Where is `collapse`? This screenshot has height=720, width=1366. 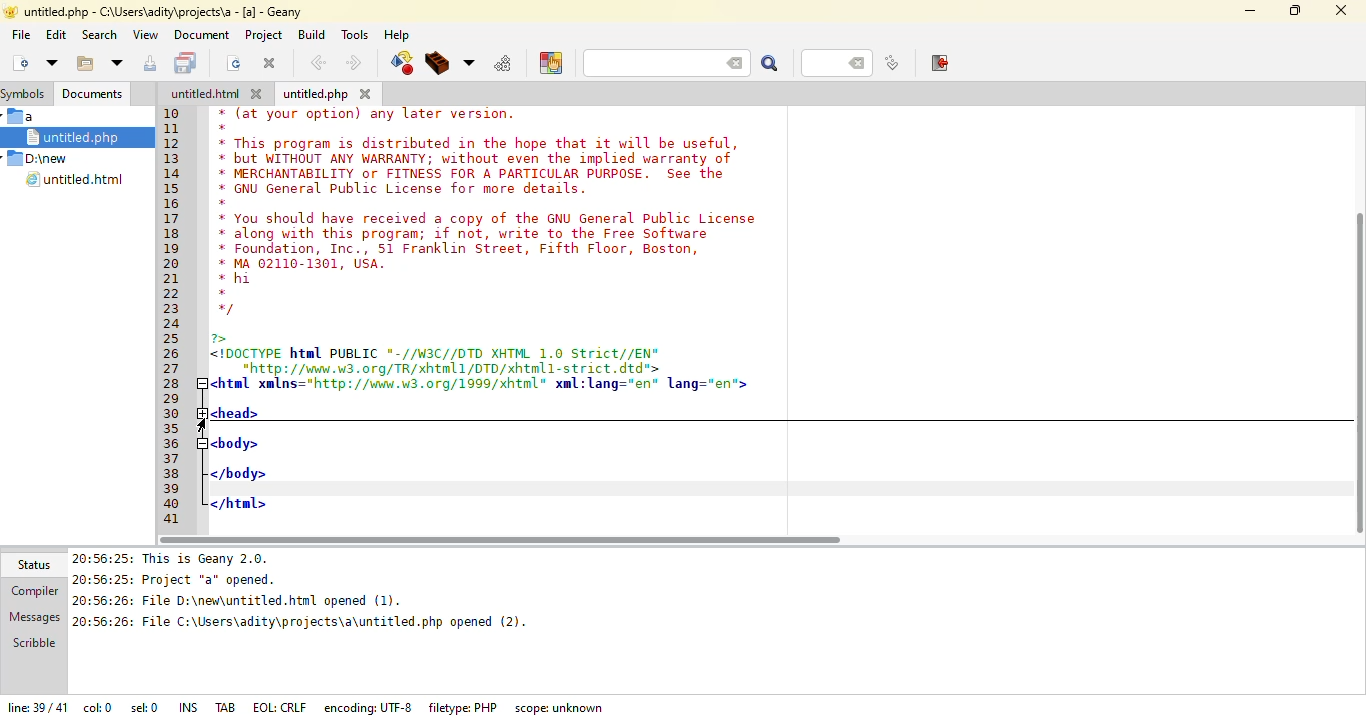
collapse is located at coordinates (204, 442).